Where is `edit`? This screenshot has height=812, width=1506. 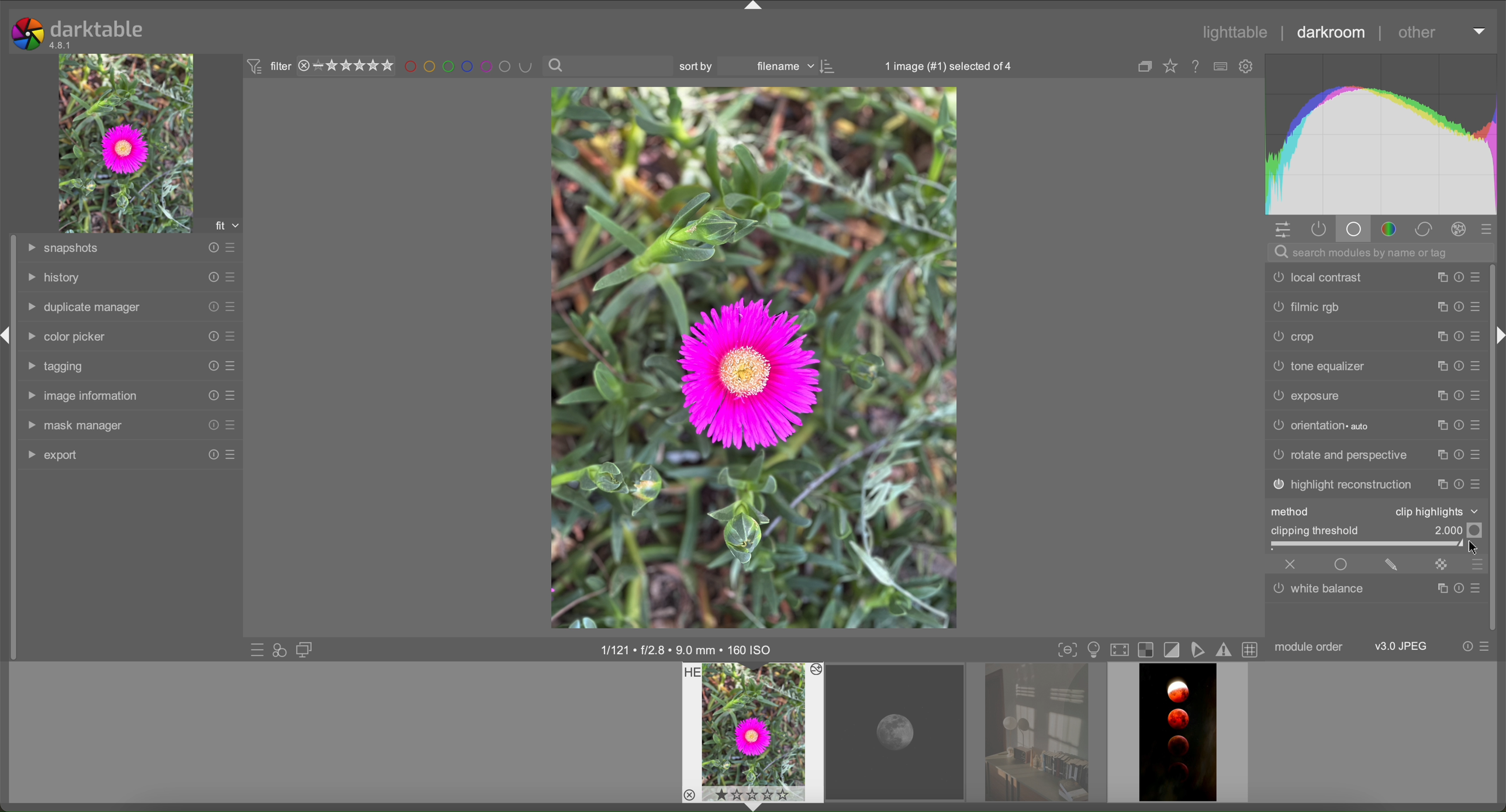
edit is located at coordinates (1391, 564).